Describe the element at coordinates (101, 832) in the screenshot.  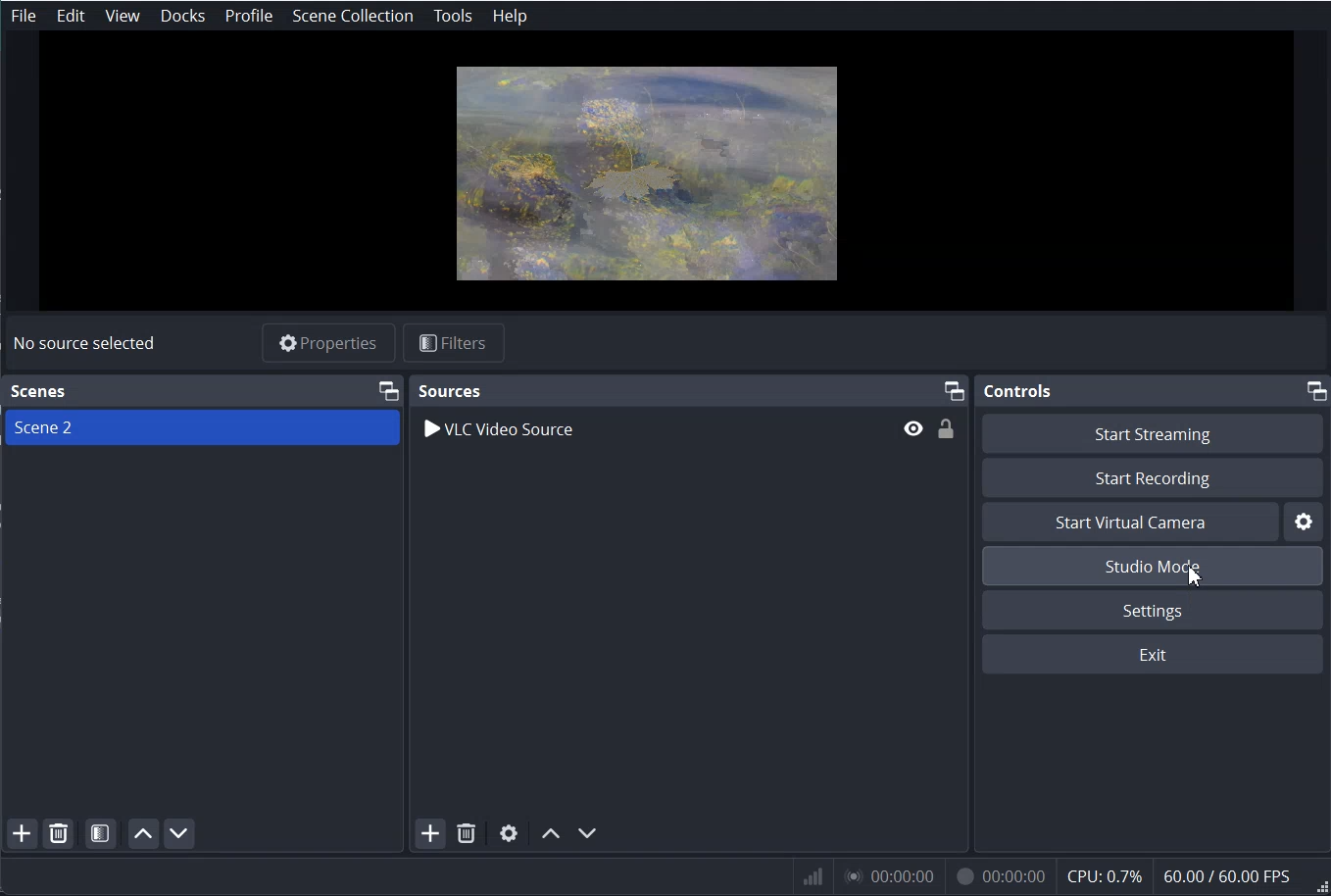
I see `Open Scene filter` at that location.